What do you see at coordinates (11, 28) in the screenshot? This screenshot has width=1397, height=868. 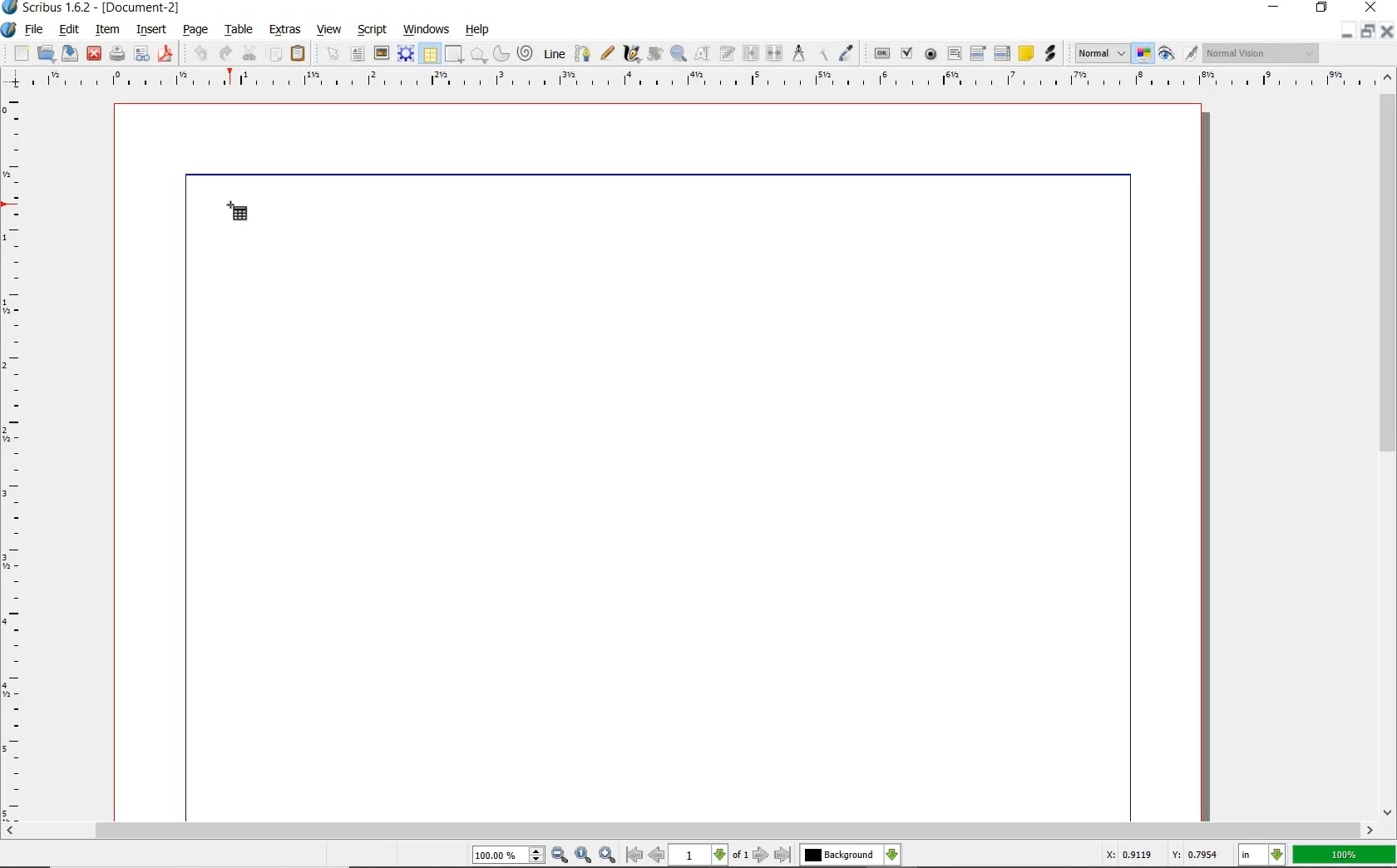 I see `system logo` at bounding box center [11, 28].